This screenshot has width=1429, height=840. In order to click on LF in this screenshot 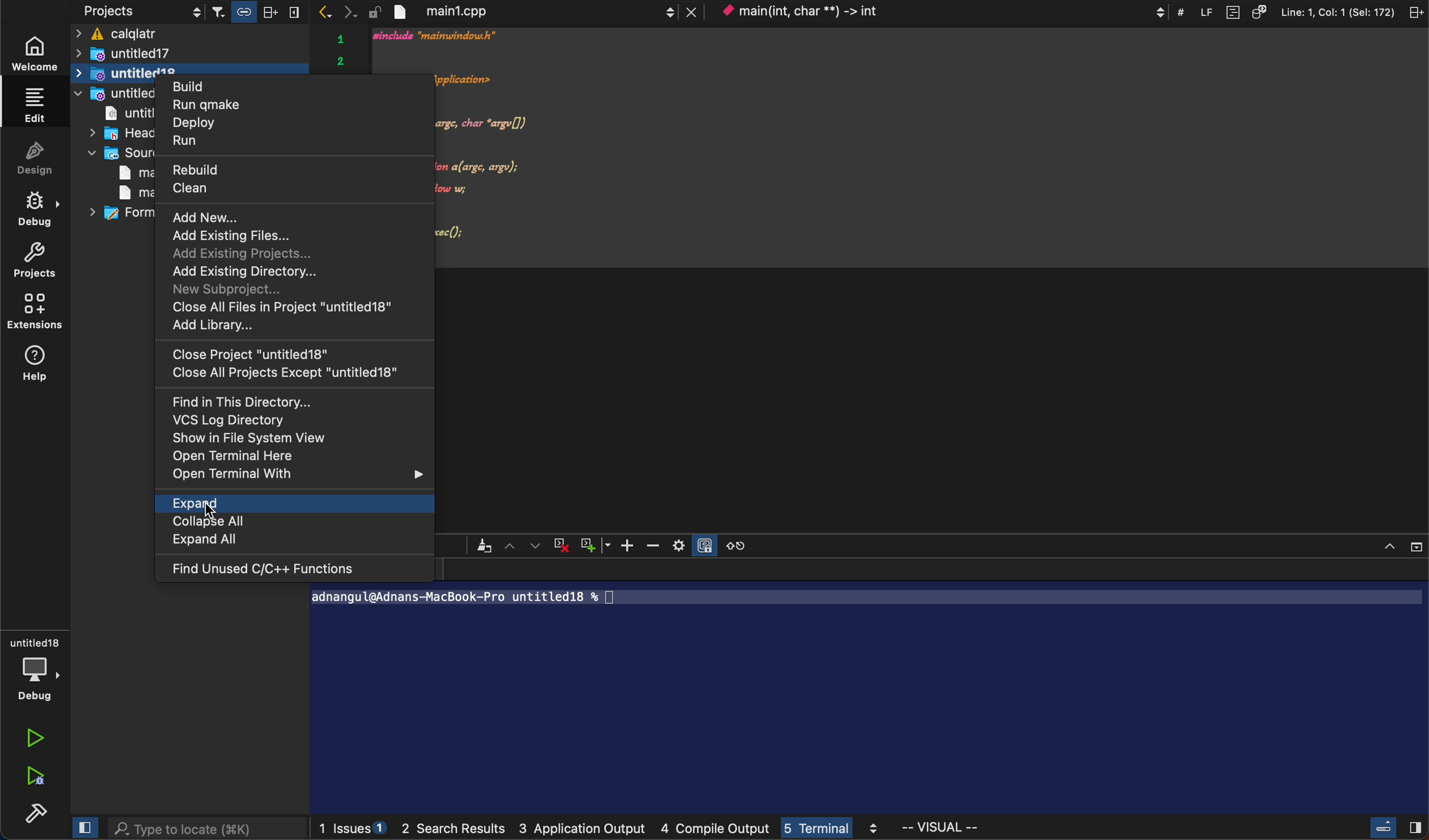, I will do `click(1202, 11)`.